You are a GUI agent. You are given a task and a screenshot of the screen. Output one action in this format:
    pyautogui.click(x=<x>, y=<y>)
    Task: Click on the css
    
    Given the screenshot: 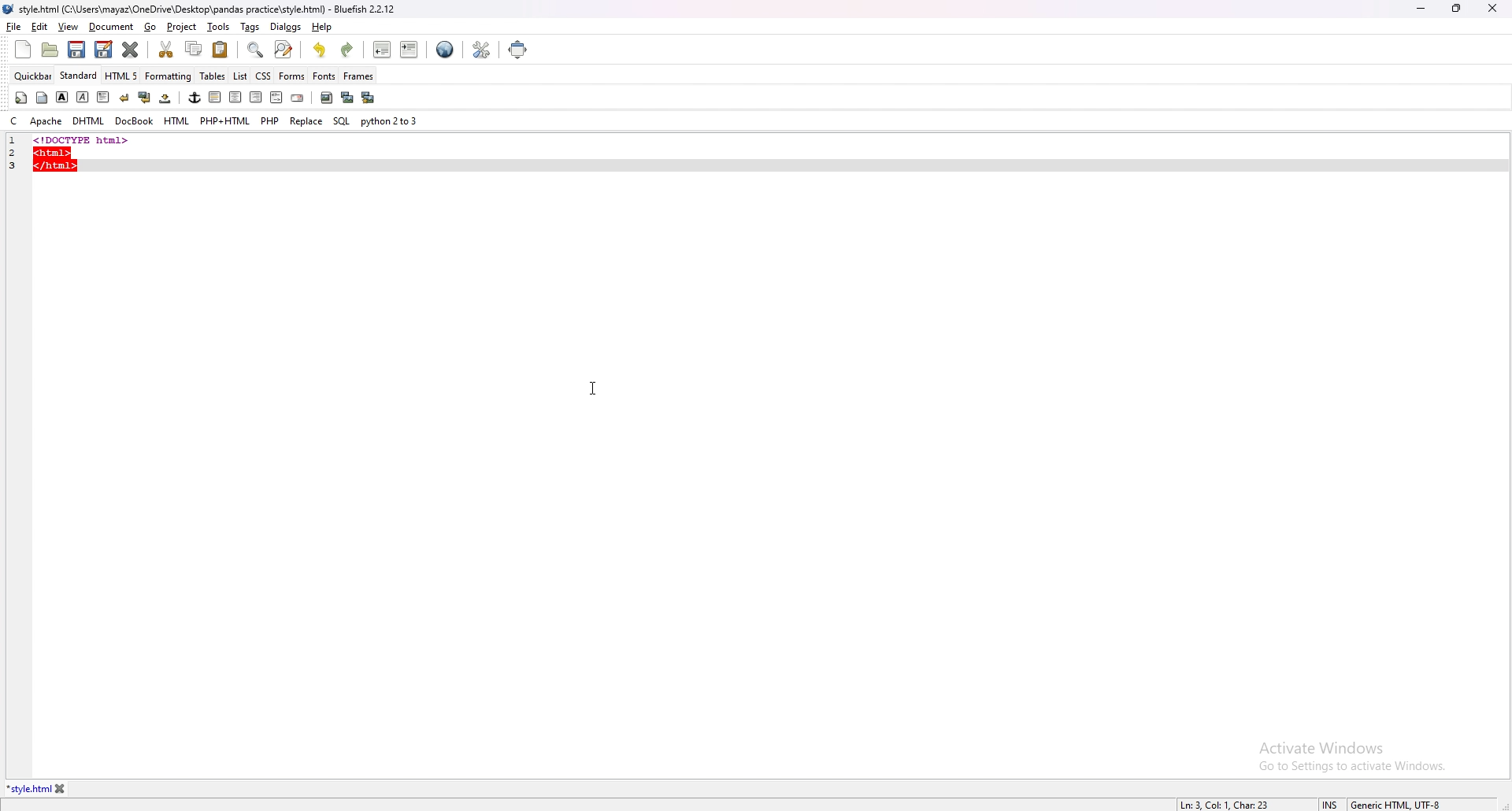 What is the action you would take?
    pyautogui.click(x=264, y=75)
    